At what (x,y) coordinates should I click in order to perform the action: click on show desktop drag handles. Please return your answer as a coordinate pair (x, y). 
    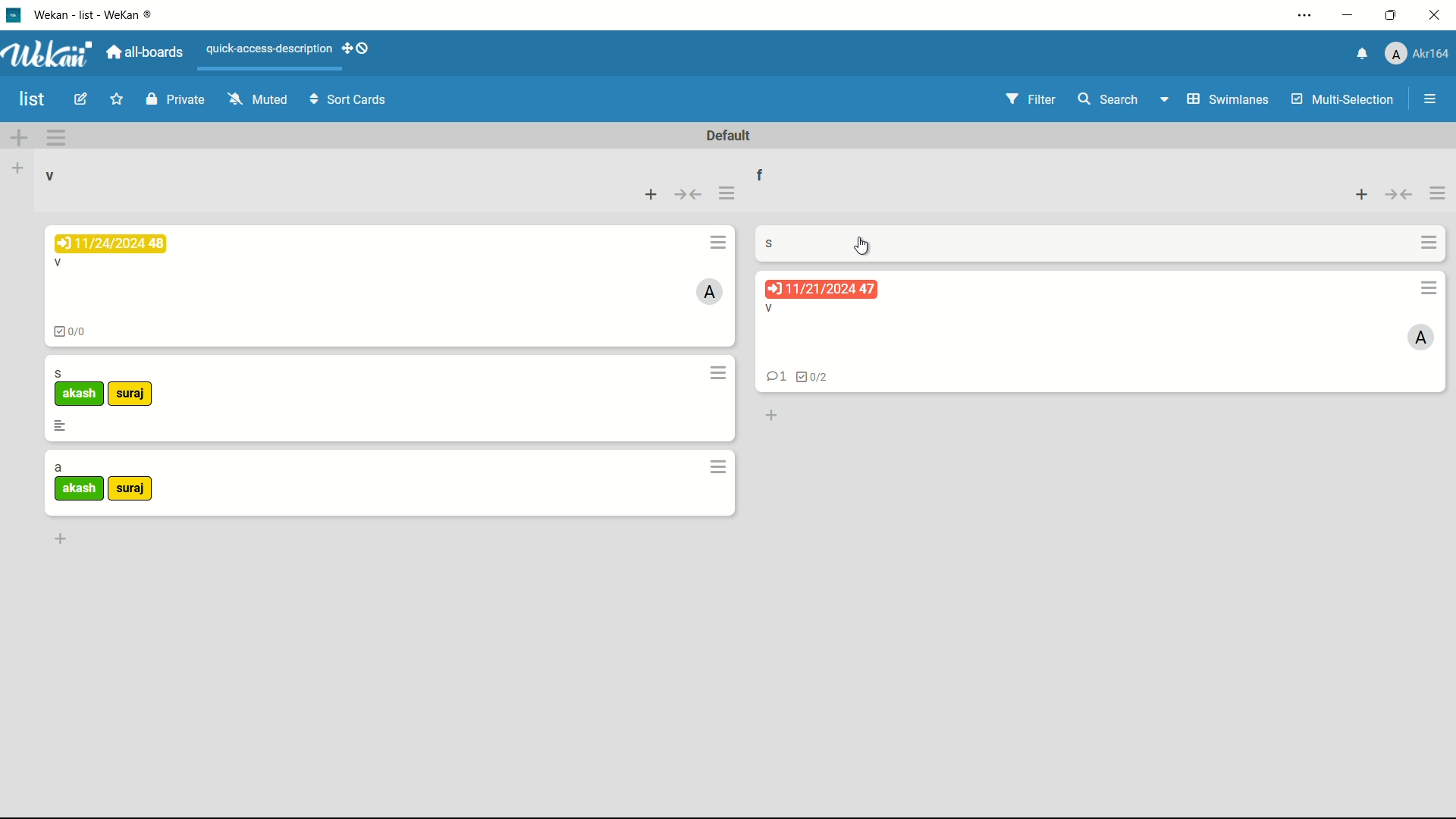
    Looking at the image, I should click on (358, 48).